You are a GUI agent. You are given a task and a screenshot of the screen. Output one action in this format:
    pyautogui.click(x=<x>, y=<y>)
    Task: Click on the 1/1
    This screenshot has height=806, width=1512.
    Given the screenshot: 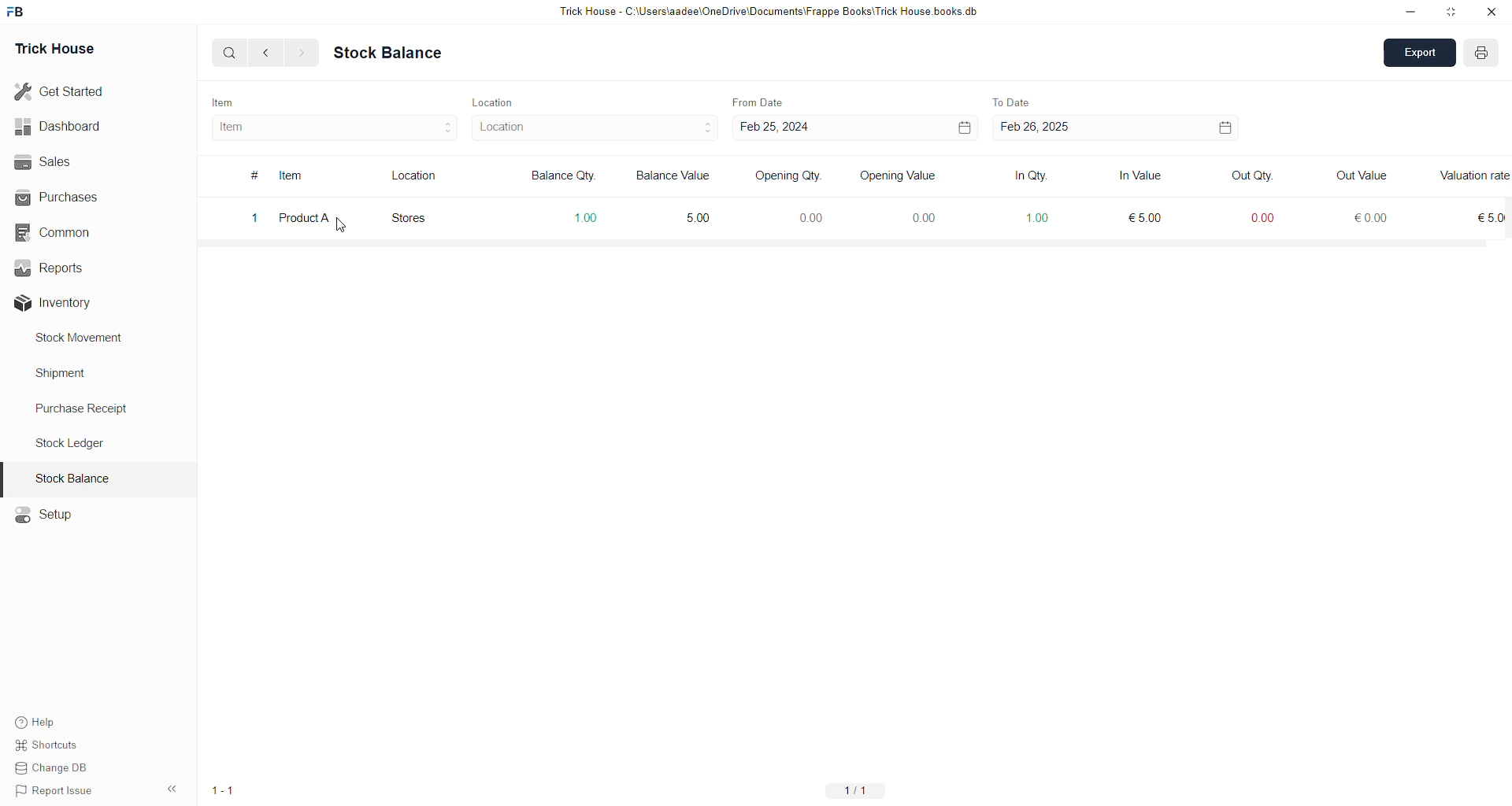 What is the action you would take?
    pyautogui.click(x=227, y=789)
    